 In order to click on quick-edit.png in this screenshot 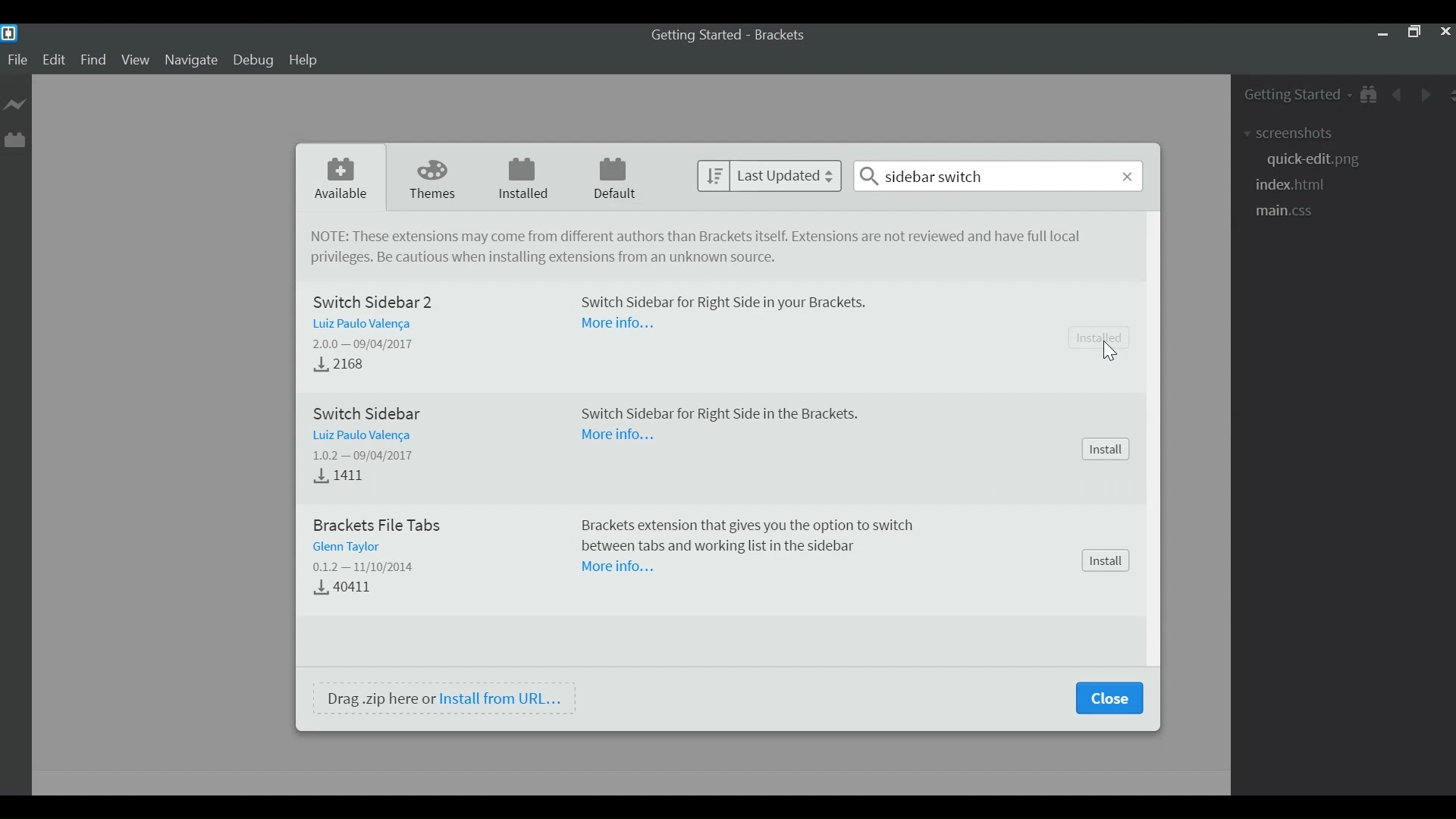, I will do `click(1313, 162)`.